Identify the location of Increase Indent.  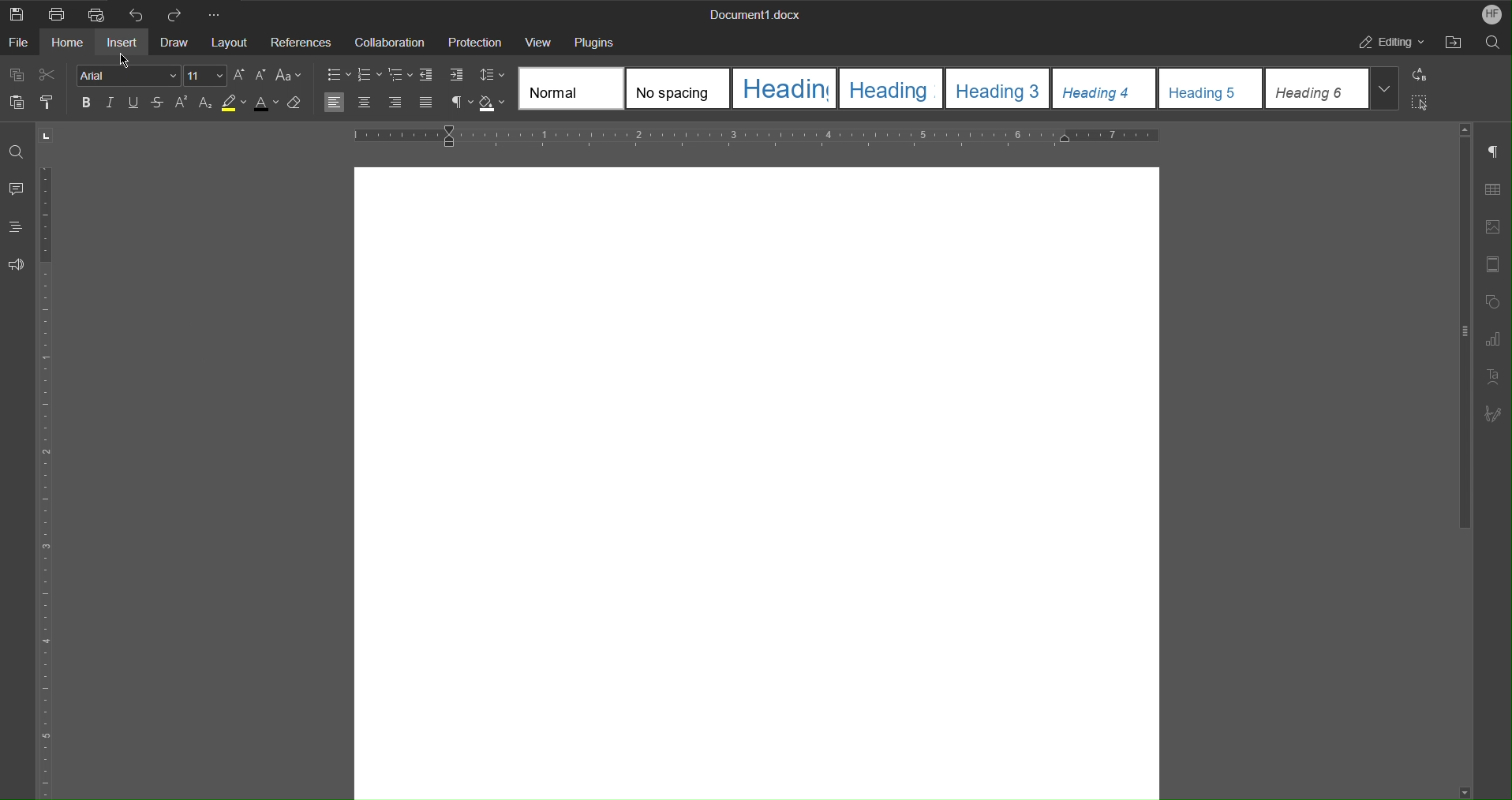
(455, 76).